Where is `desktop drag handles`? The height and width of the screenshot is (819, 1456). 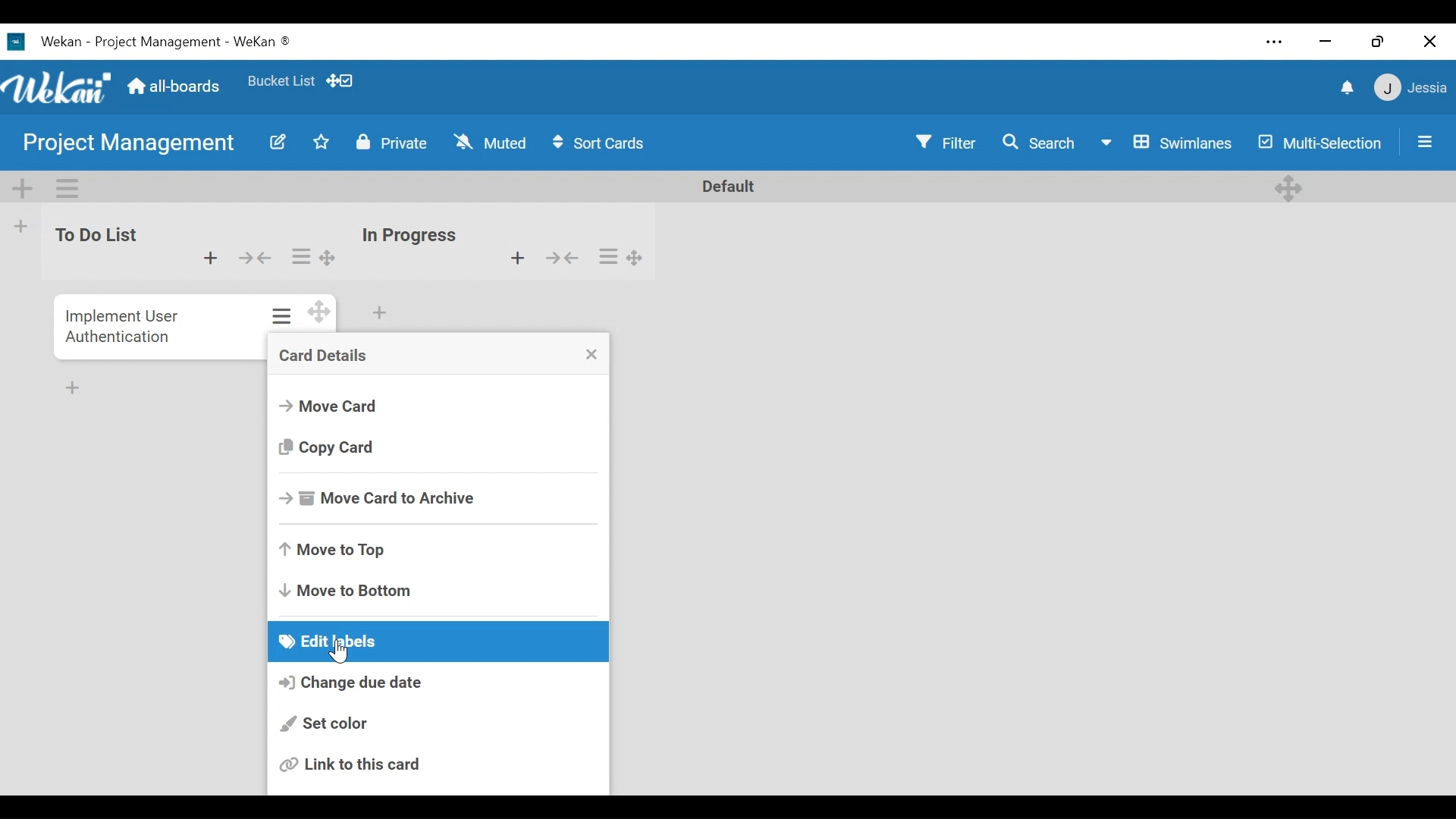 desktop drag handles is located at coordinates (637, 257).